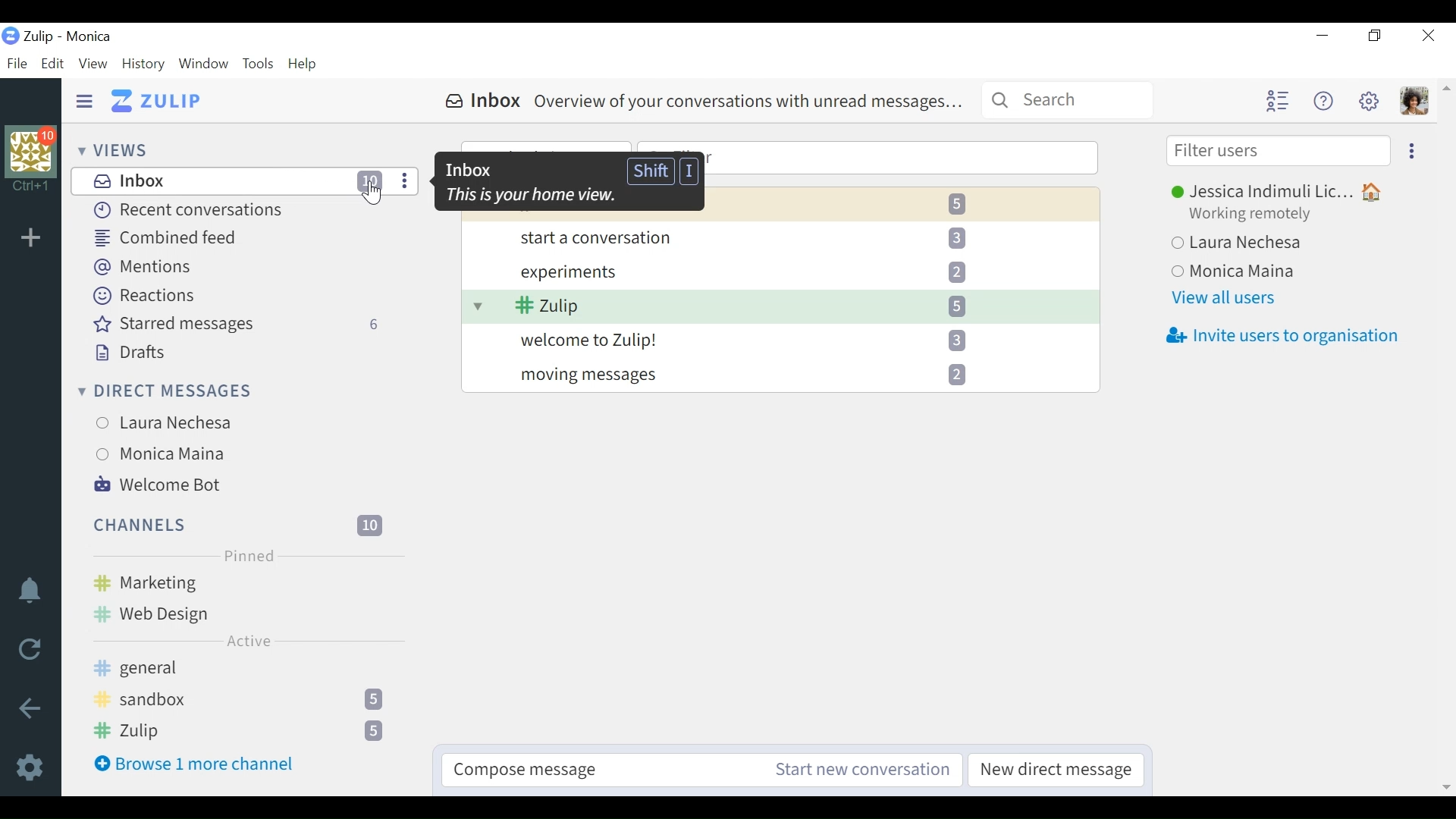 The height and width of the screenshot is (819, 1456). What do you see at coordinates (374, 195) in the screenshot?
I see `Cursor` at bounding box center [374, 195].